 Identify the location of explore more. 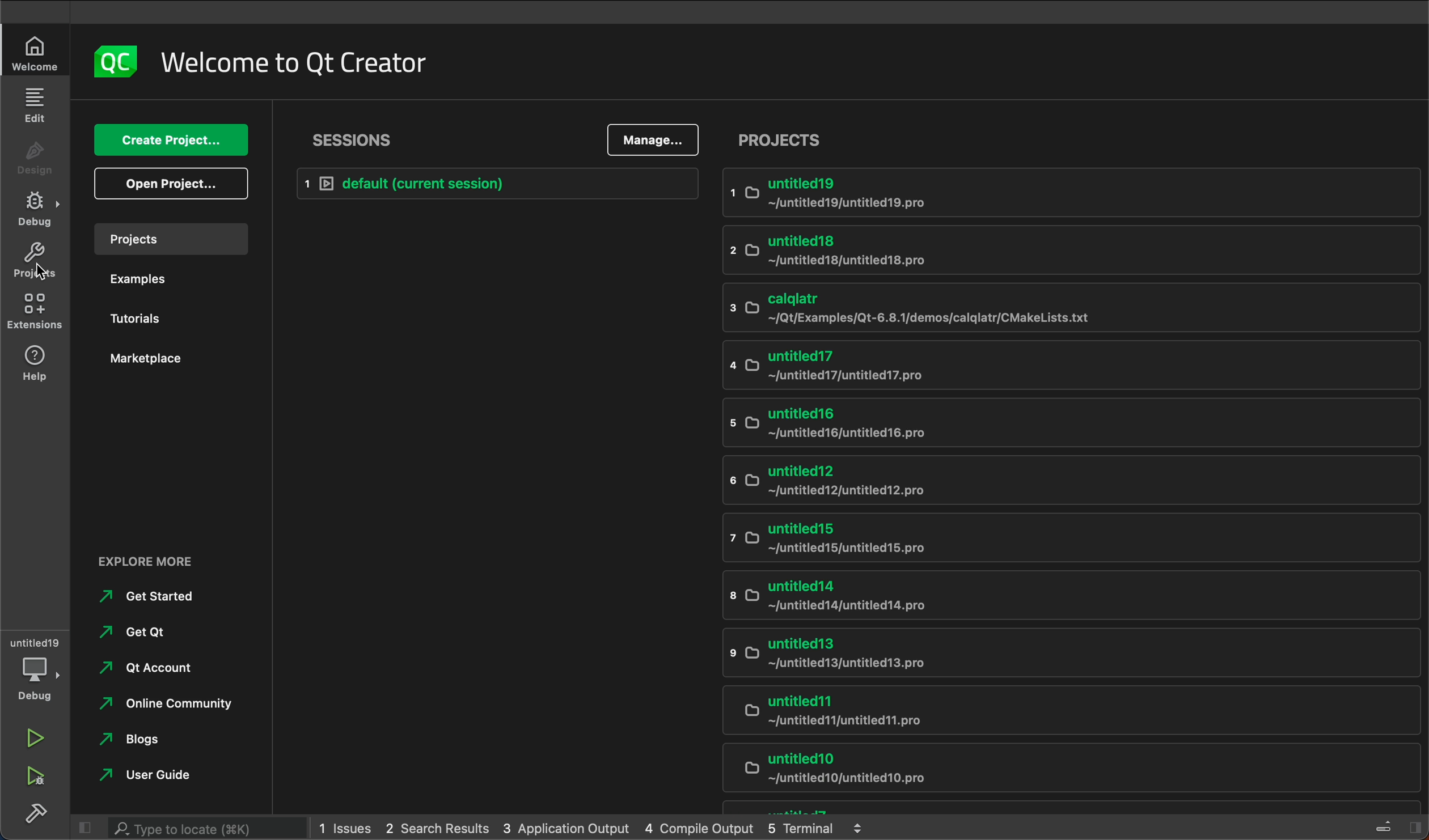
(154, 560).